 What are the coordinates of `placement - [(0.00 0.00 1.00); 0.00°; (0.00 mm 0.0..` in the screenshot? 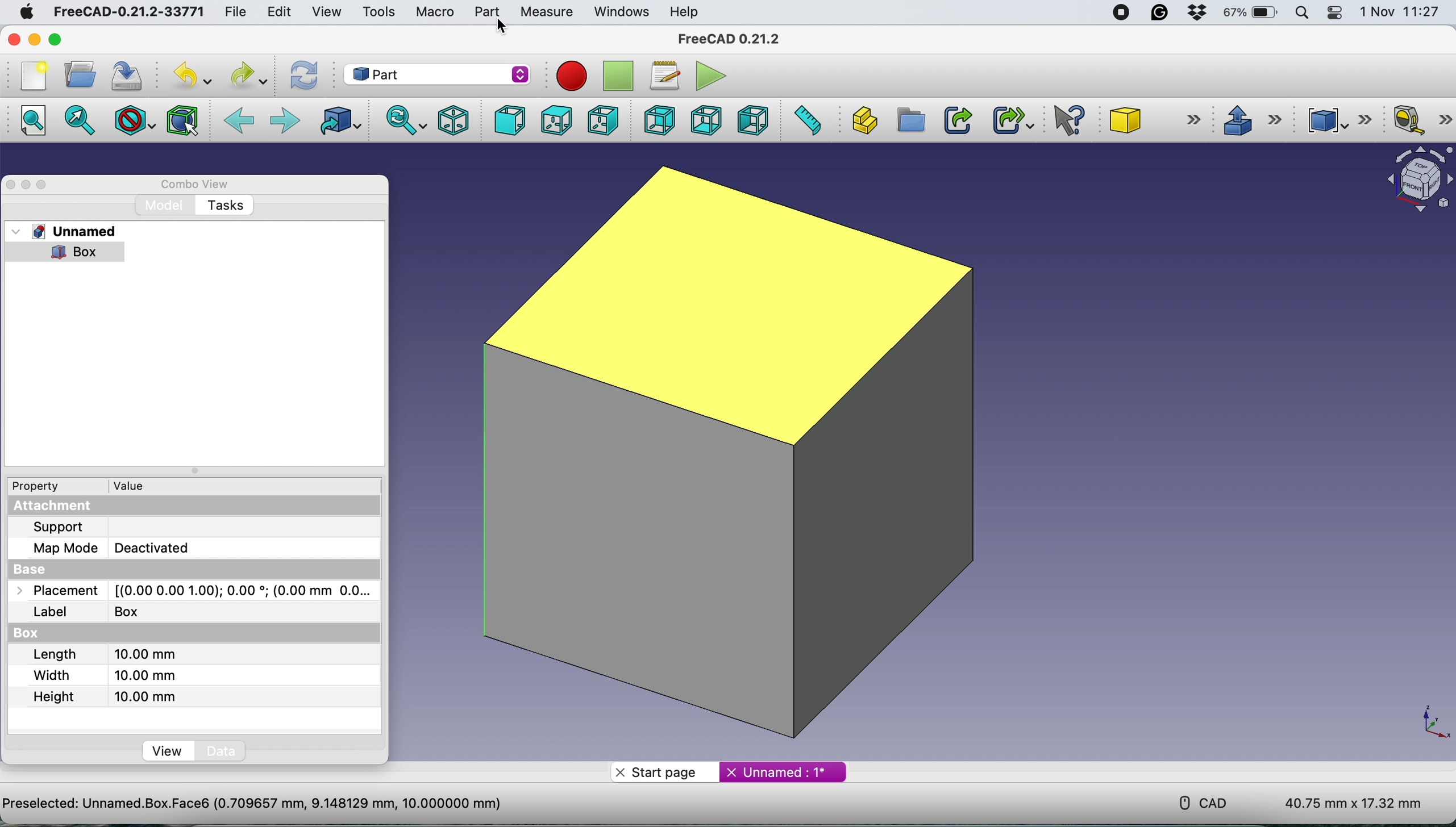 It's located at (188, 590).